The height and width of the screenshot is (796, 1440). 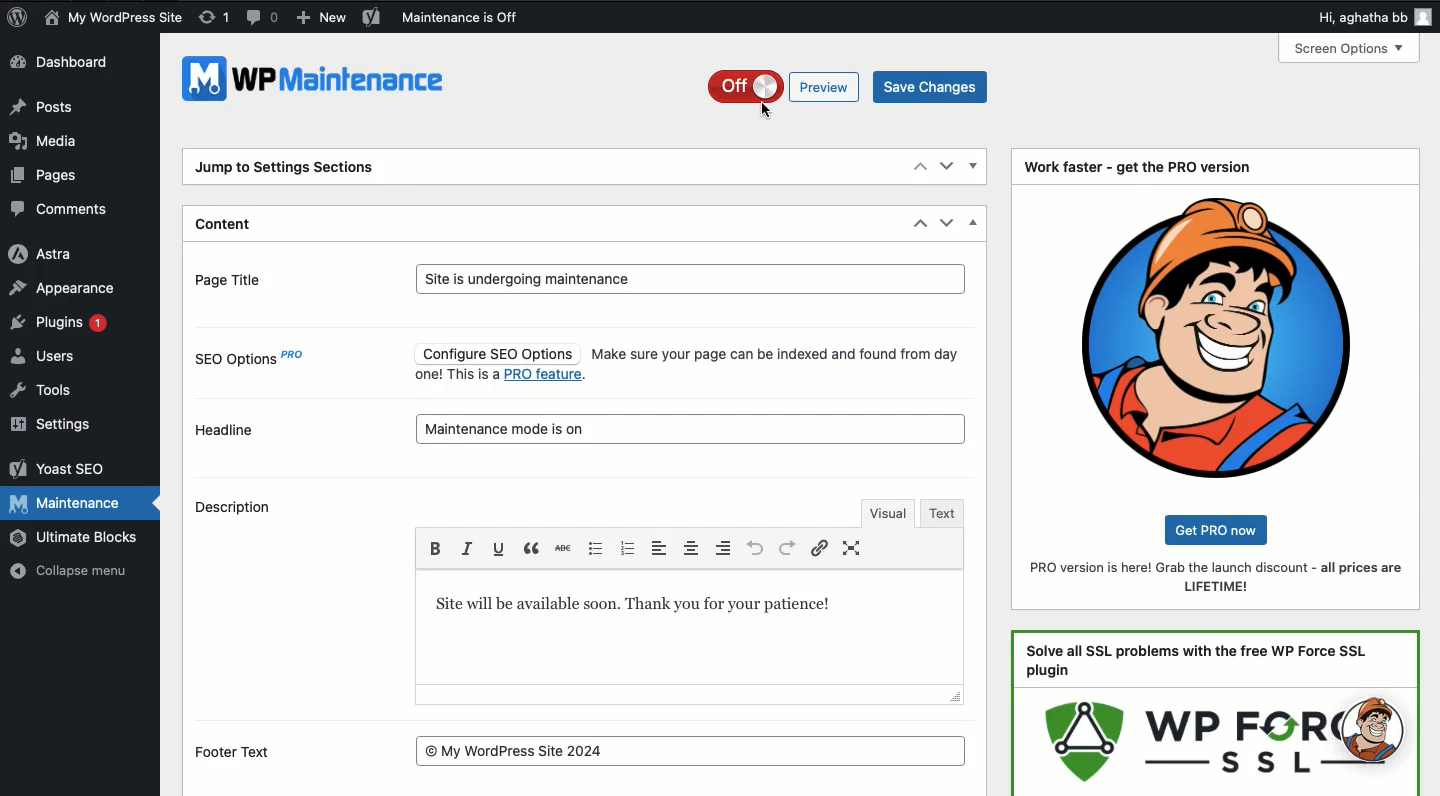 I want to click on Page title, so click(x=247, y=278).